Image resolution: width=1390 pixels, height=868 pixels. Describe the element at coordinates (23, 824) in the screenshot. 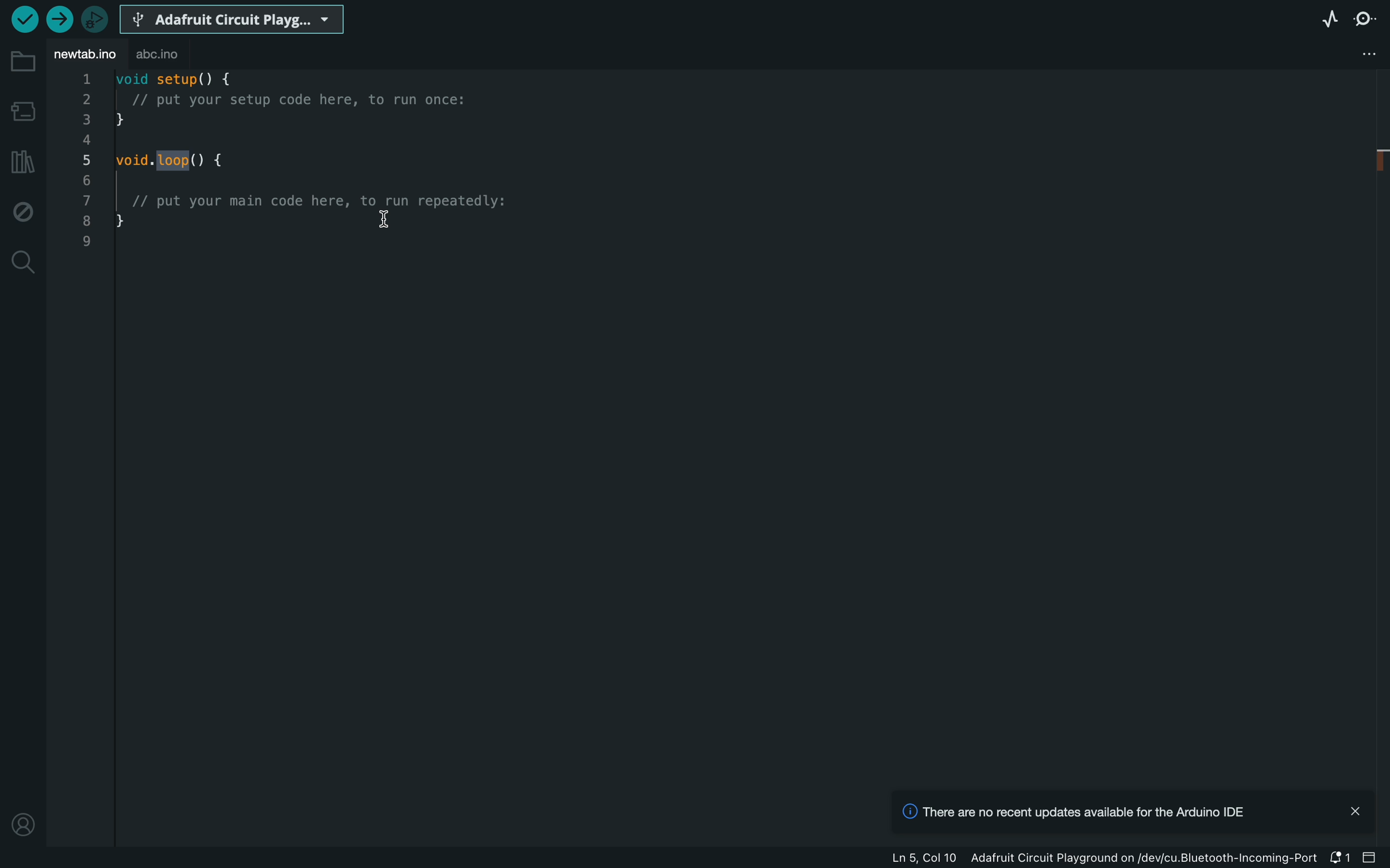

I see `profile` at that location.